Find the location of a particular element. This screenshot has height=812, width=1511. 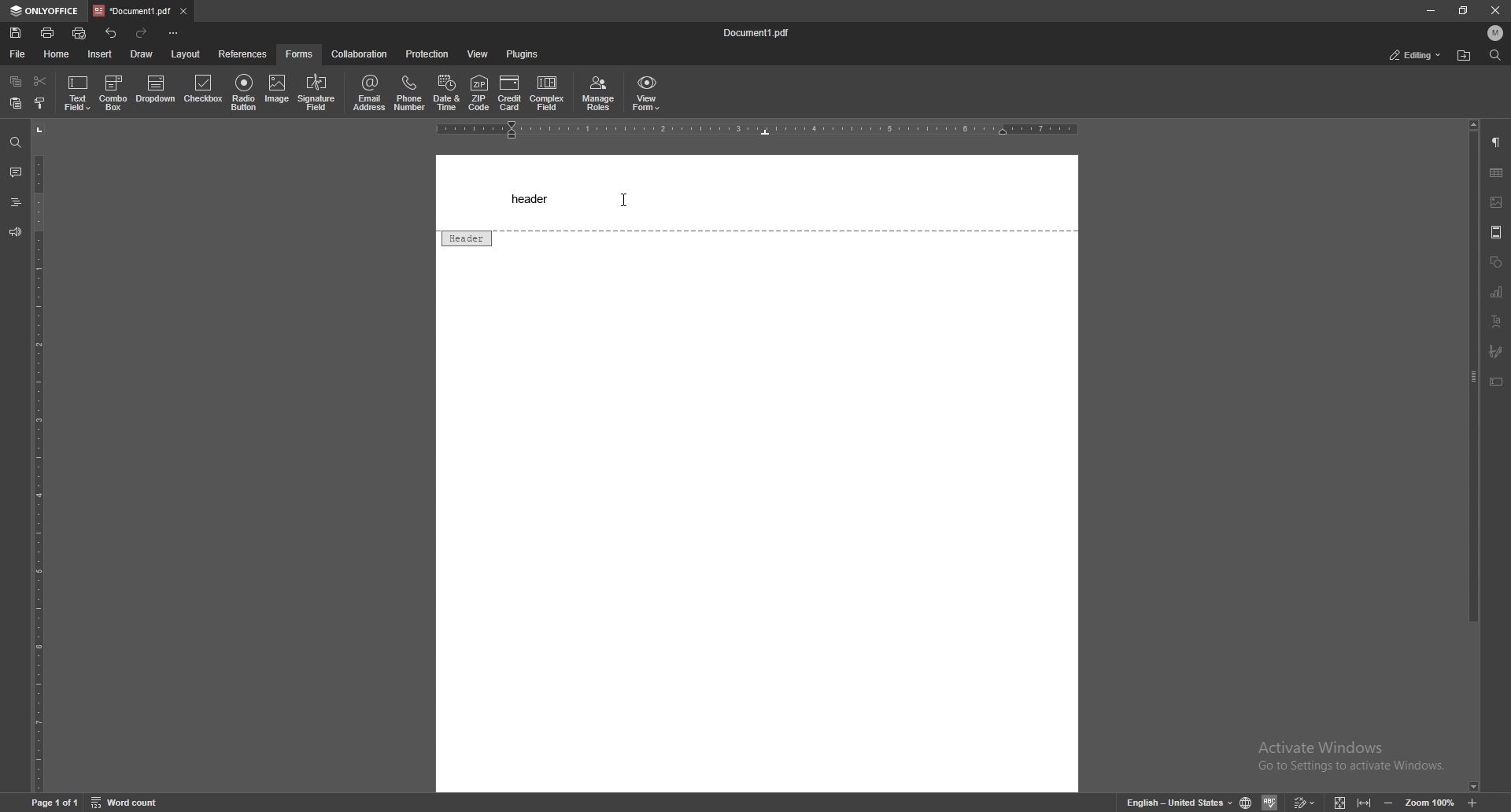

close tab is located at coordinates (185, 11).